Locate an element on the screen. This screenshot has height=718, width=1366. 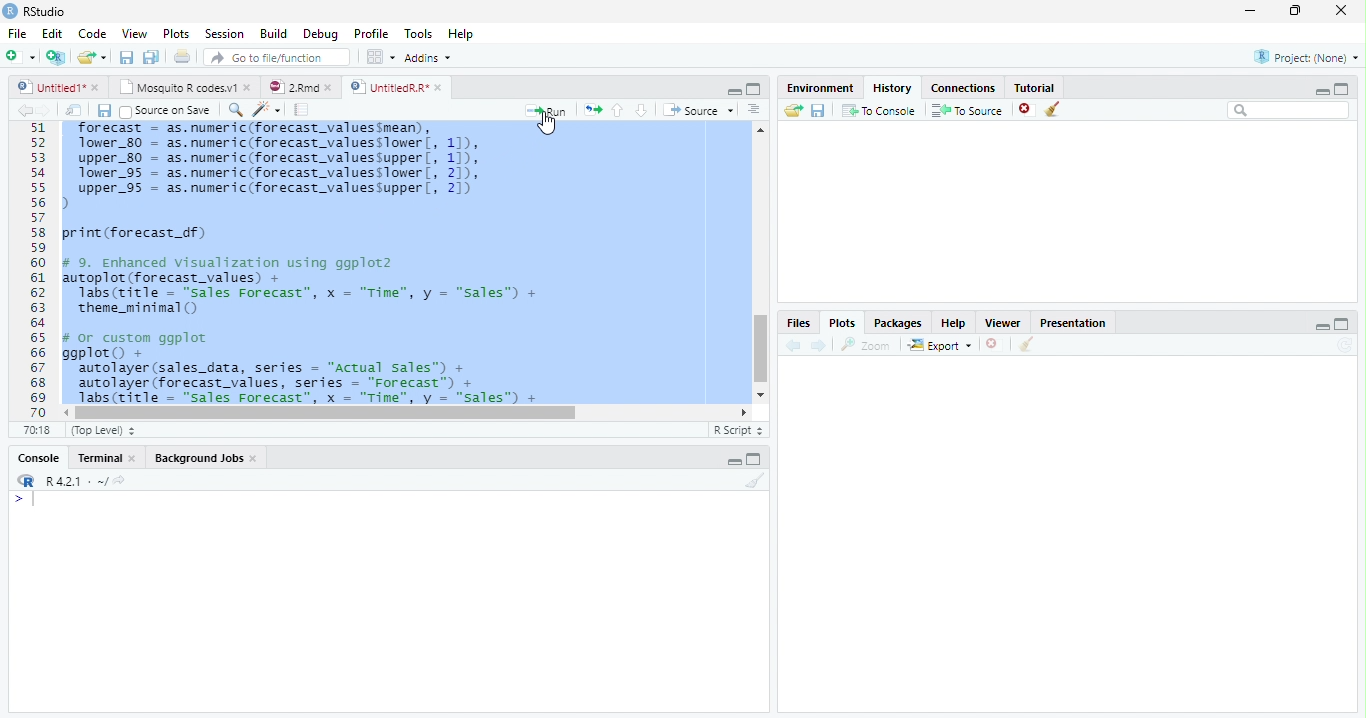
save is located at coordinates (818, 110).